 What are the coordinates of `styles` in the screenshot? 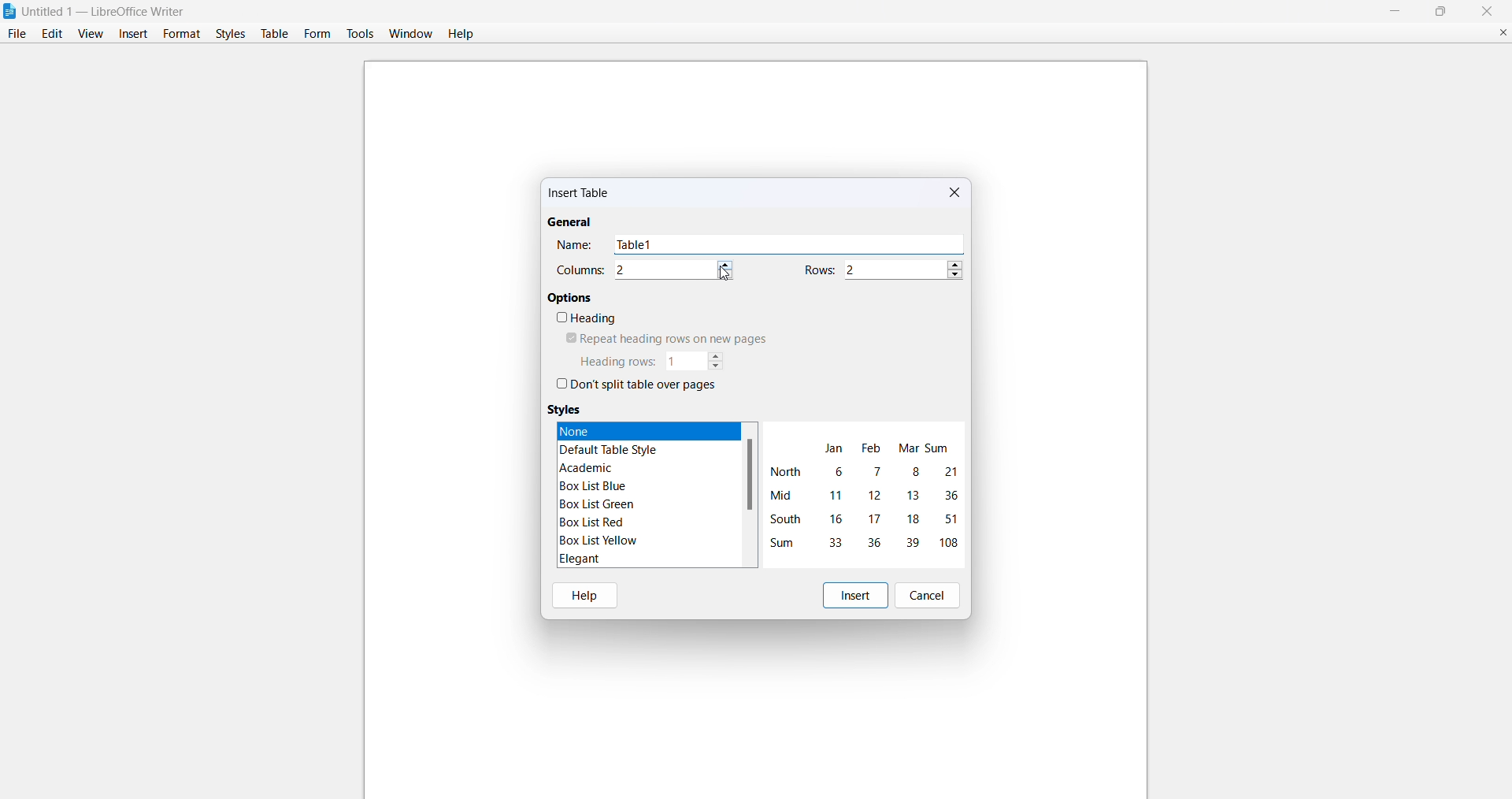 It's located at (566, 409).